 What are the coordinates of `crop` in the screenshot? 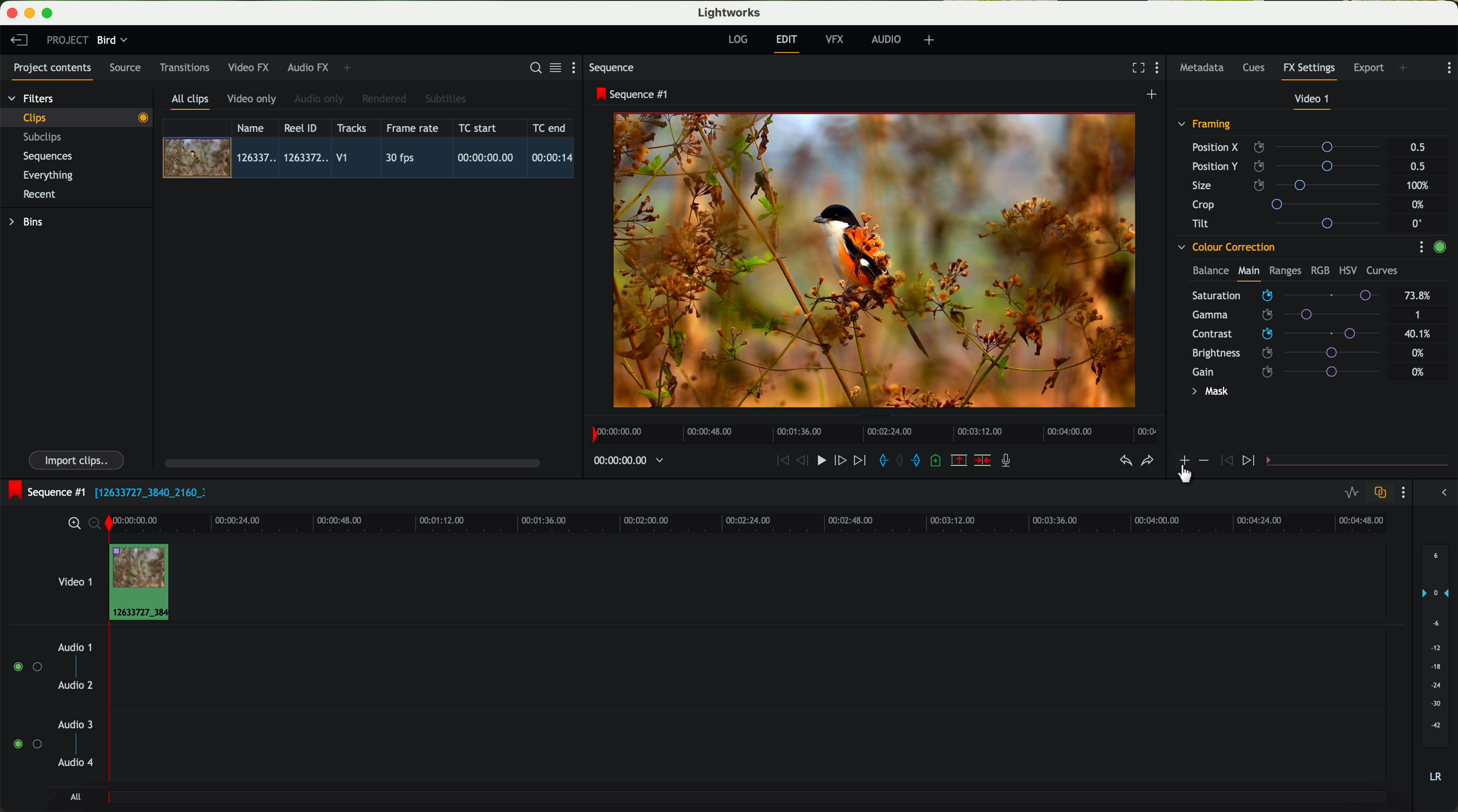 It's located at (1290, 204).